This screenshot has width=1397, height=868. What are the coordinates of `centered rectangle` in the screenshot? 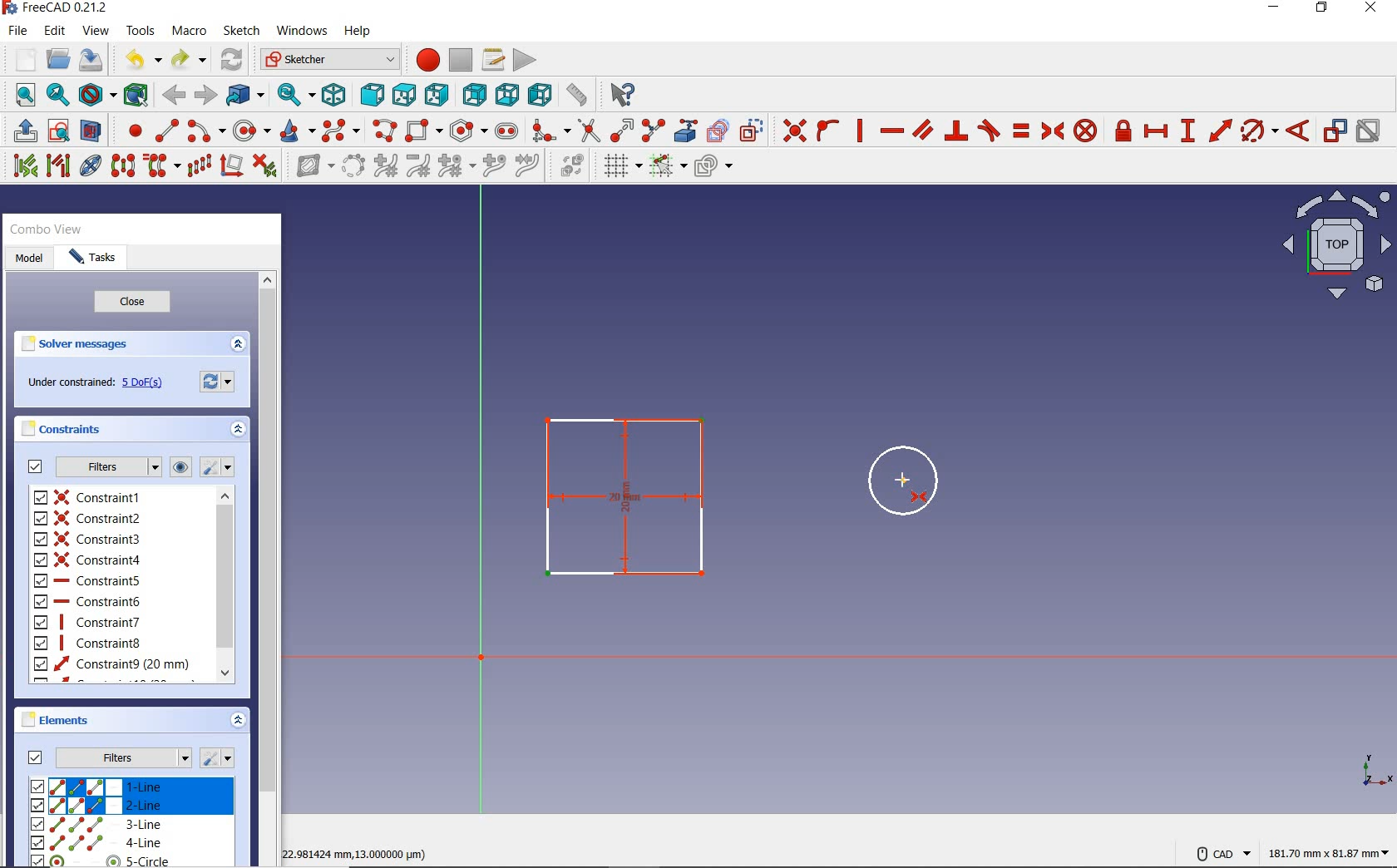 It's located at (425, 131).